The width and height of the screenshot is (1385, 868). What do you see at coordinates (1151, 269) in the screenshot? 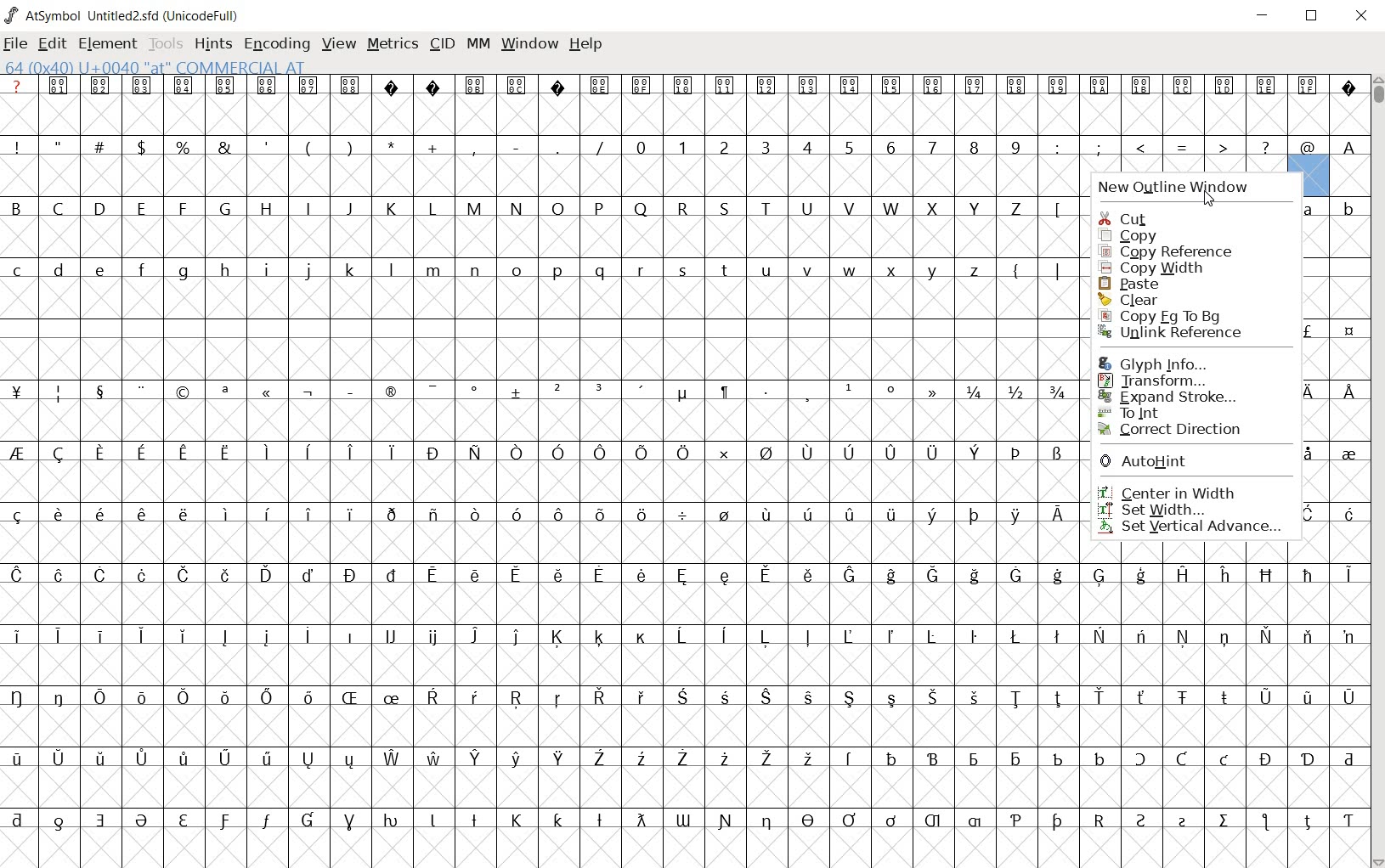
I see `COPY WIDTH` at bounding box center [1151, 269].